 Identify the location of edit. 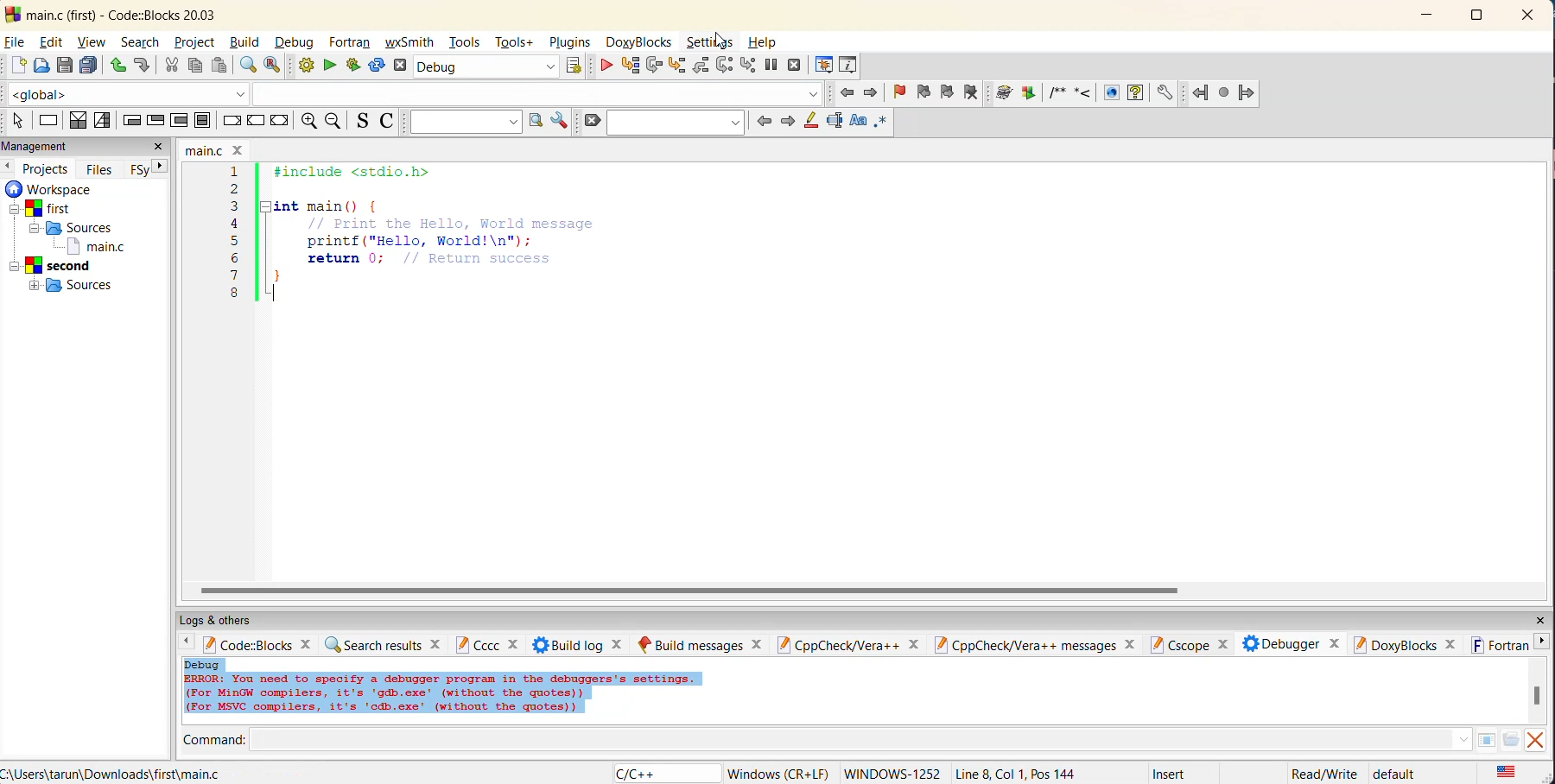
(52, 42).